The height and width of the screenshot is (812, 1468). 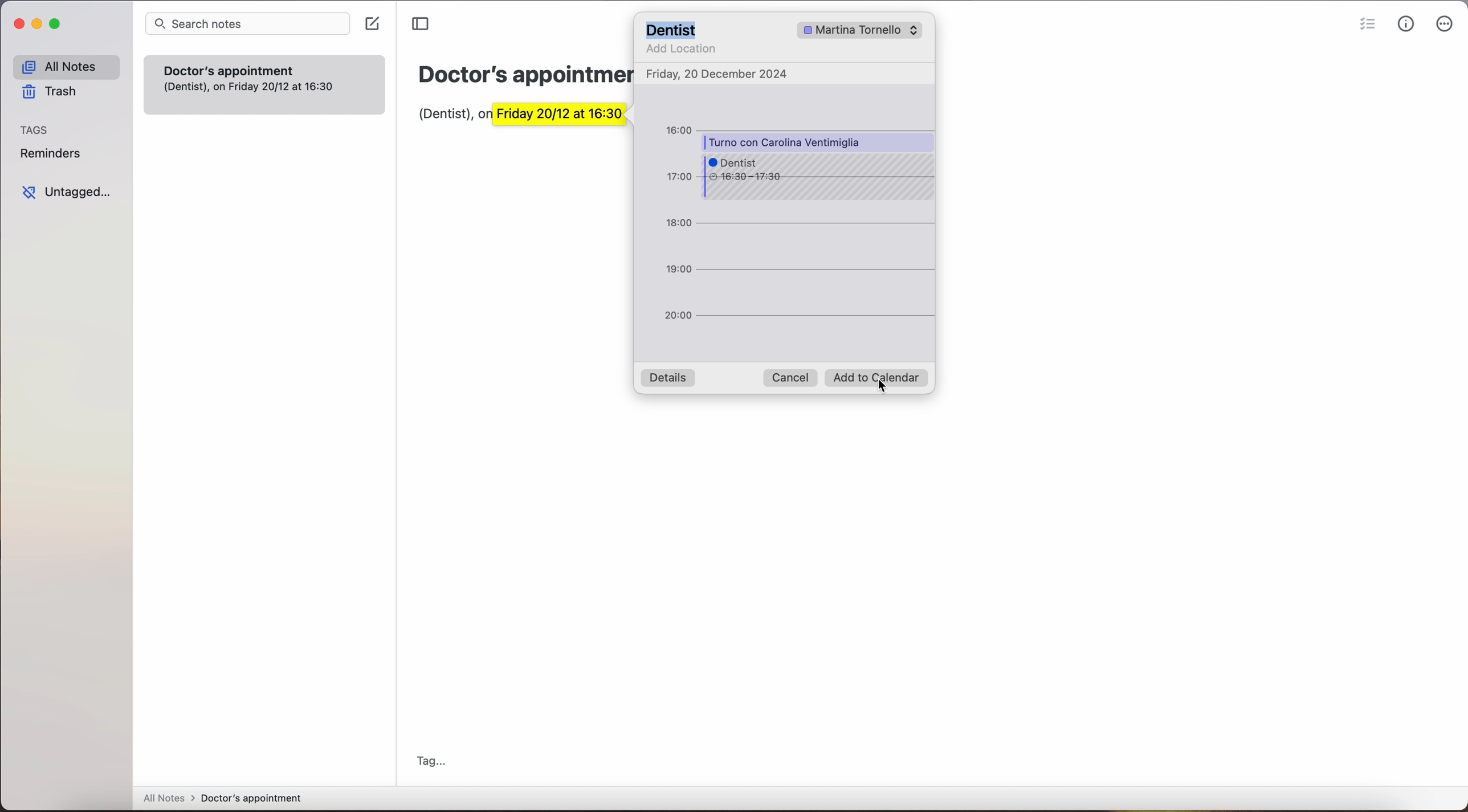 I want to click on Untagged..., so click(x=71, y=193).